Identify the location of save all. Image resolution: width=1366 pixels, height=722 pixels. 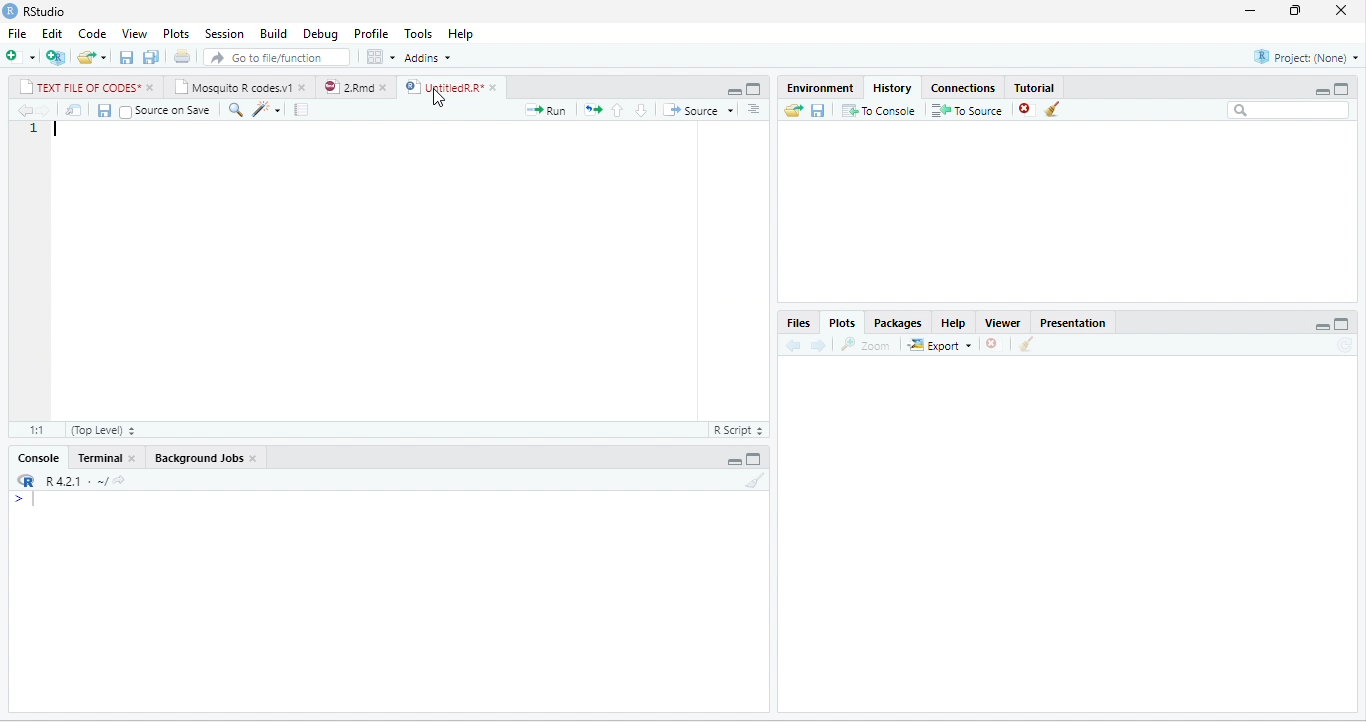
(151, 57).